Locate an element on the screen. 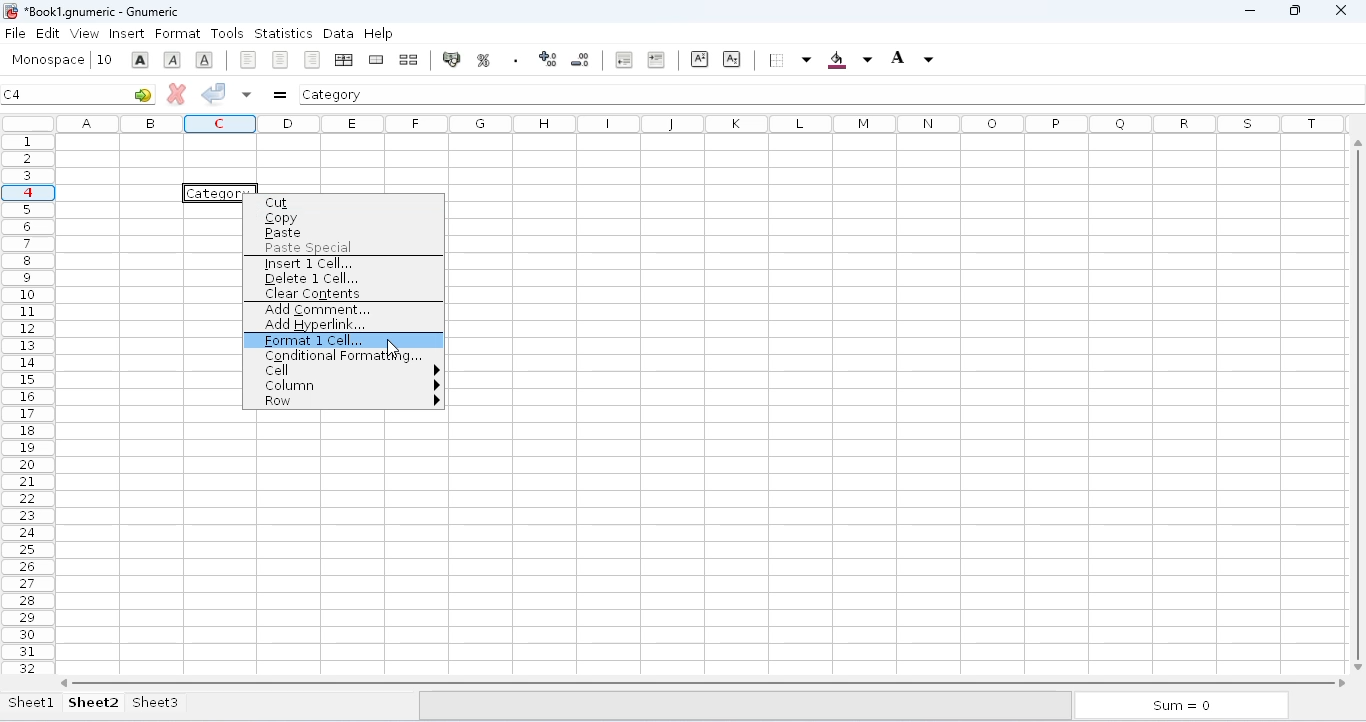  format is located at coordinates (178, 34).